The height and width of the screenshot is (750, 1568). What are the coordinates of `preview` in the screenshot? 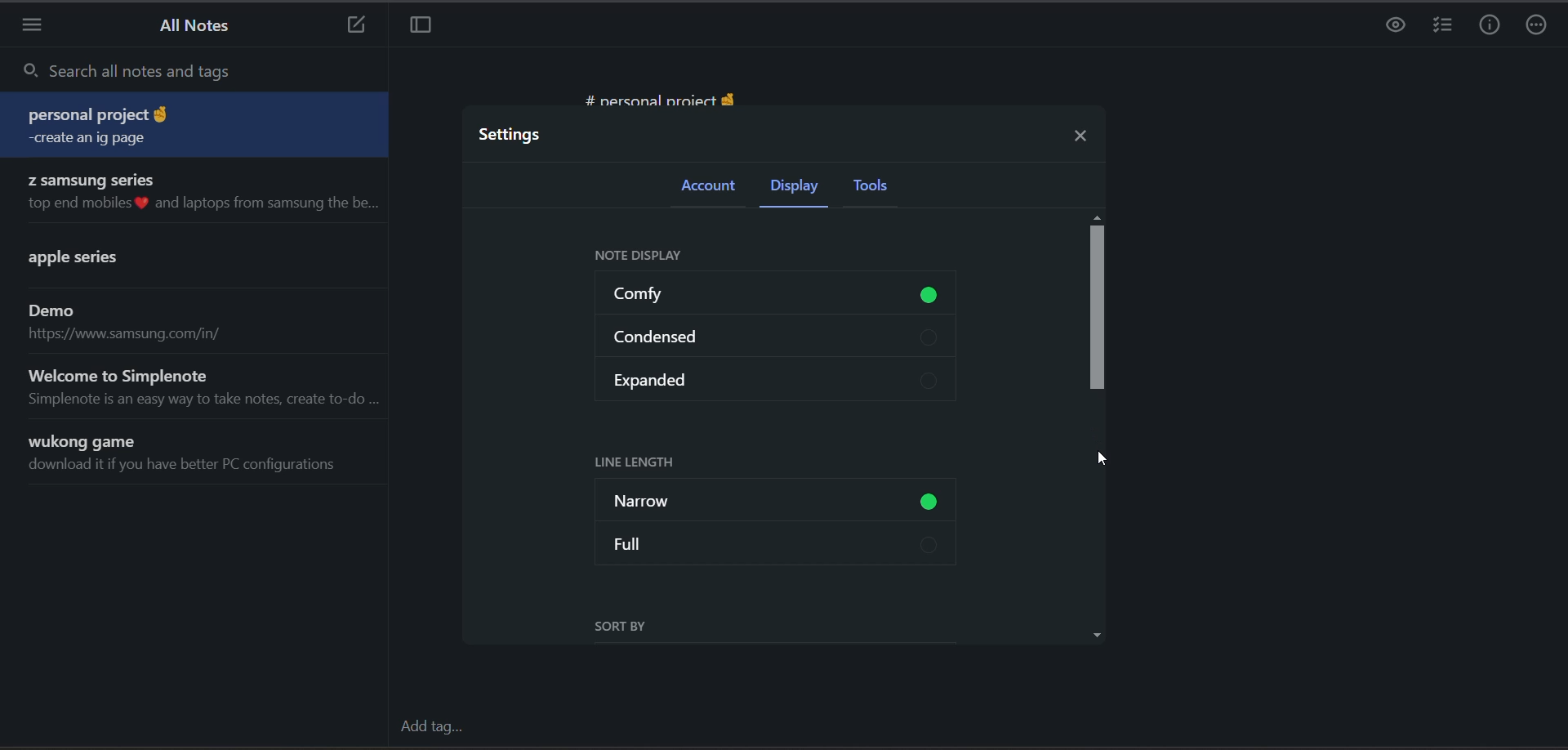 It's located at (1391, 26).